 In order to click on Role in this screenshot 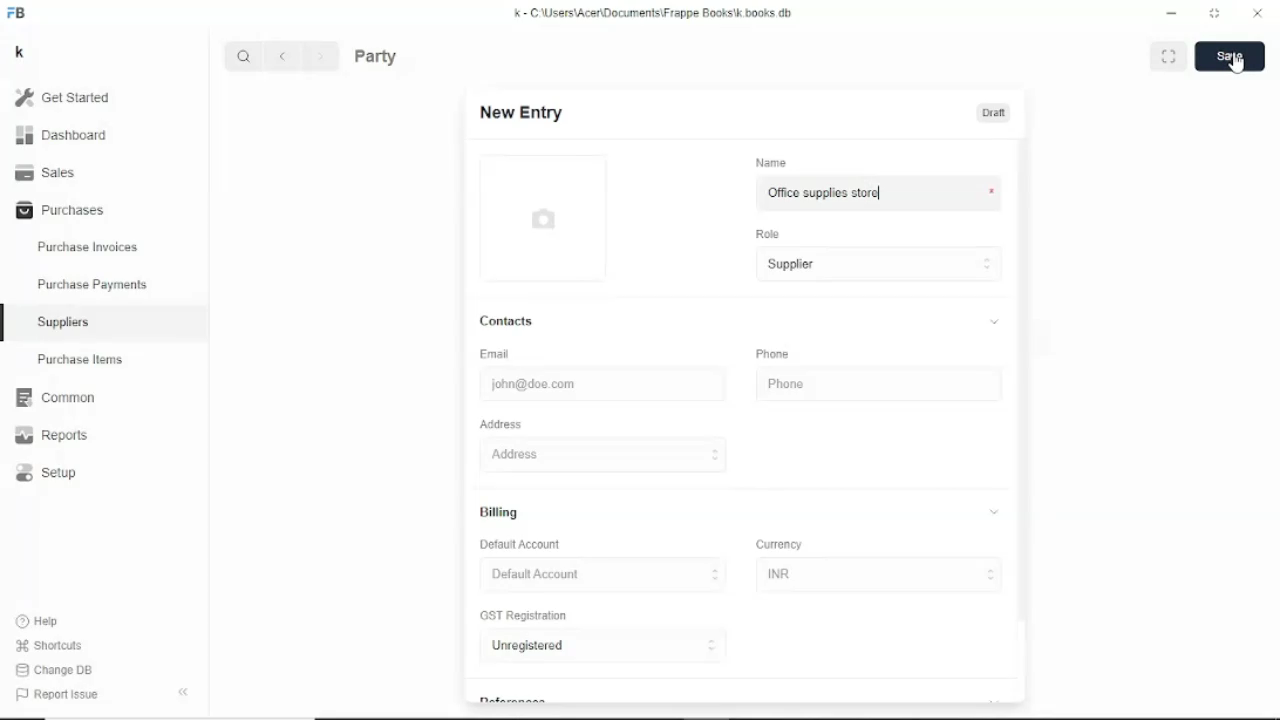, I will do `click(768, 233)`.